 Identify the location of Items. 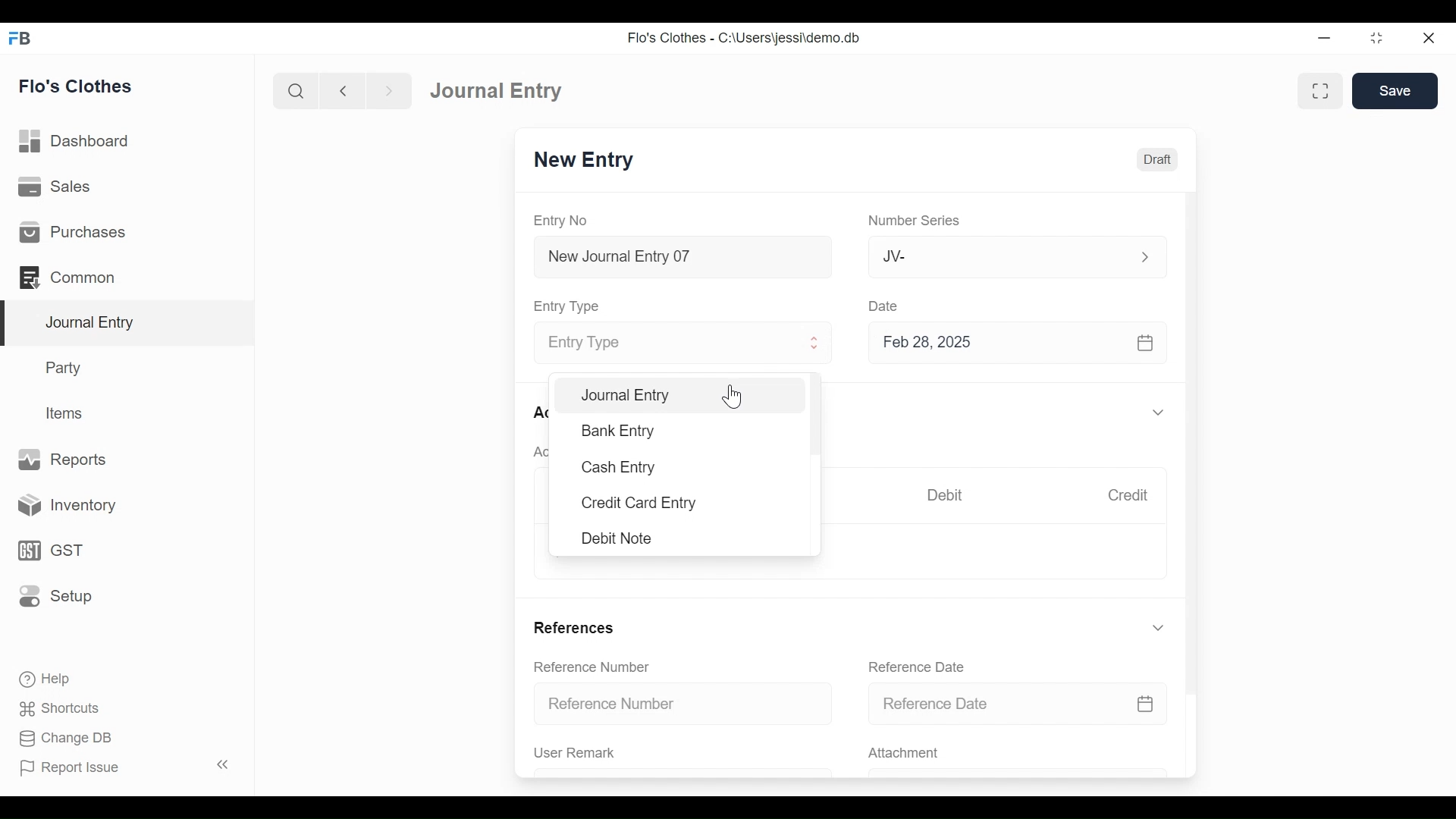
(67, 413).